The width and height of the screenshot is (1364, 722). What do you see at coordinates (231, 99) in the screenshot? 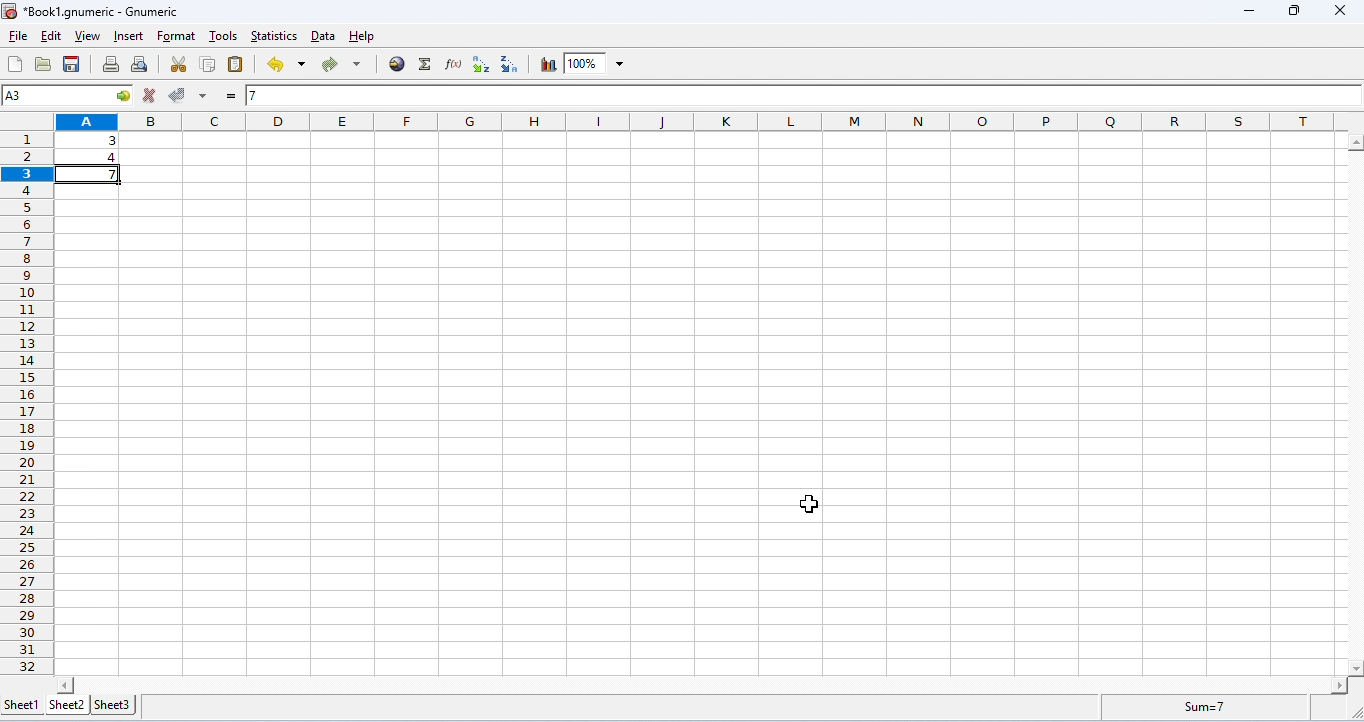
I see `=` at bounding box center [231, 99].